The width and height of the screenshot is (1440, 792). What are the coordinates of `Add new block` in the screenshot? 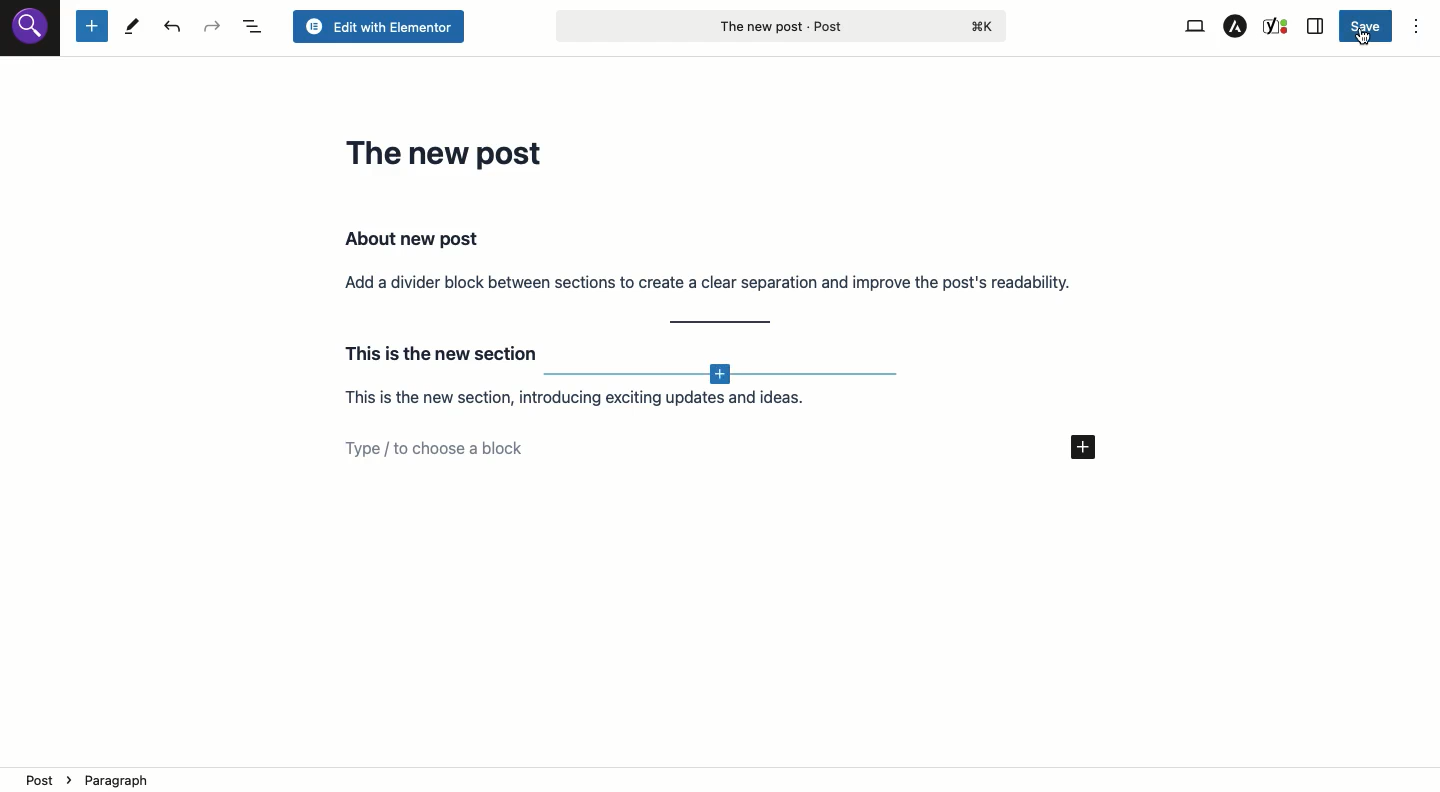 It's located at (724, 376).